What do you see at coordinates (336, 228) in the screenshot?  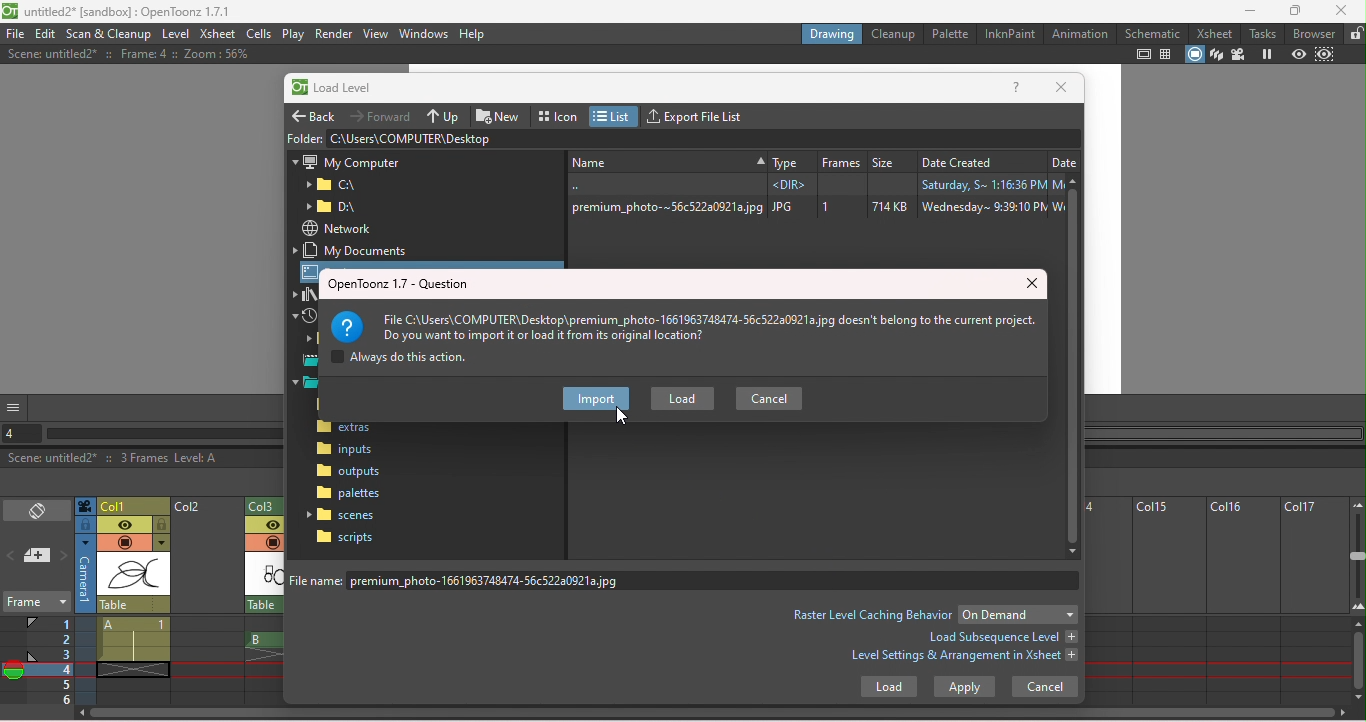 I see `Network` at bounding box center [336, 228].